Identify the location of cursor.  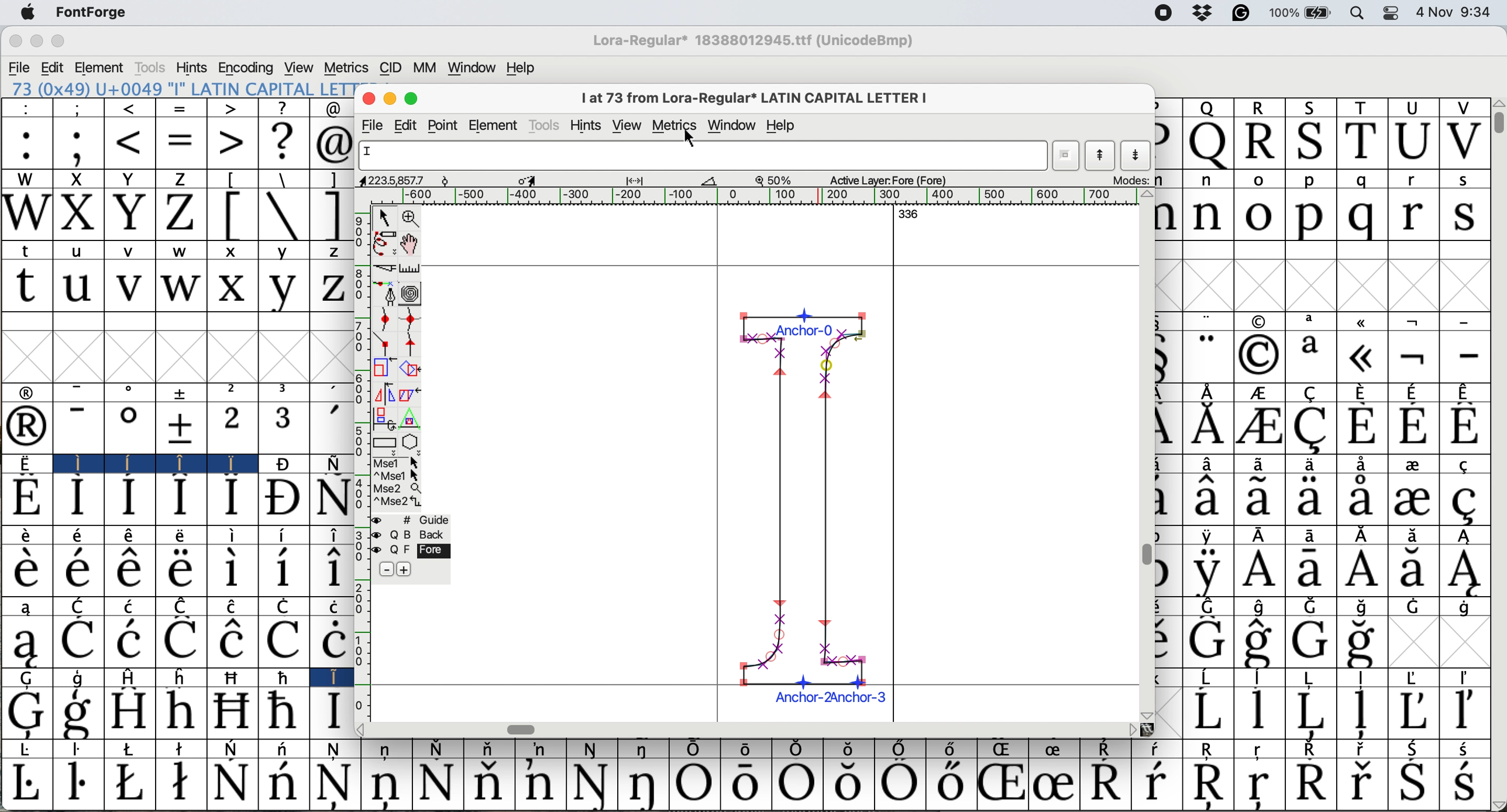
(689, 140).